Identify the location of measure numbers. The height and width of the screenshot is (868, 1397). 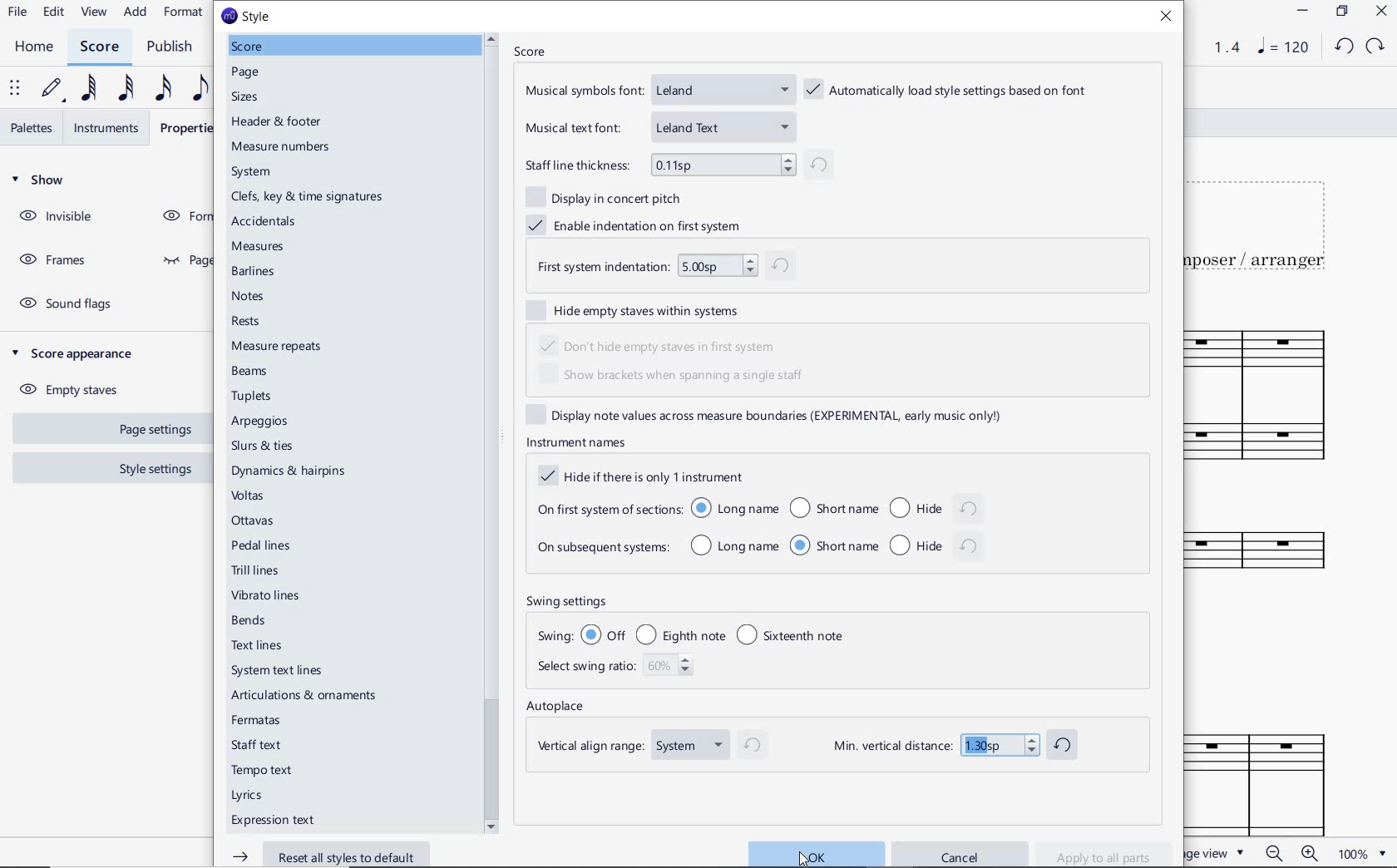
(281, 147).